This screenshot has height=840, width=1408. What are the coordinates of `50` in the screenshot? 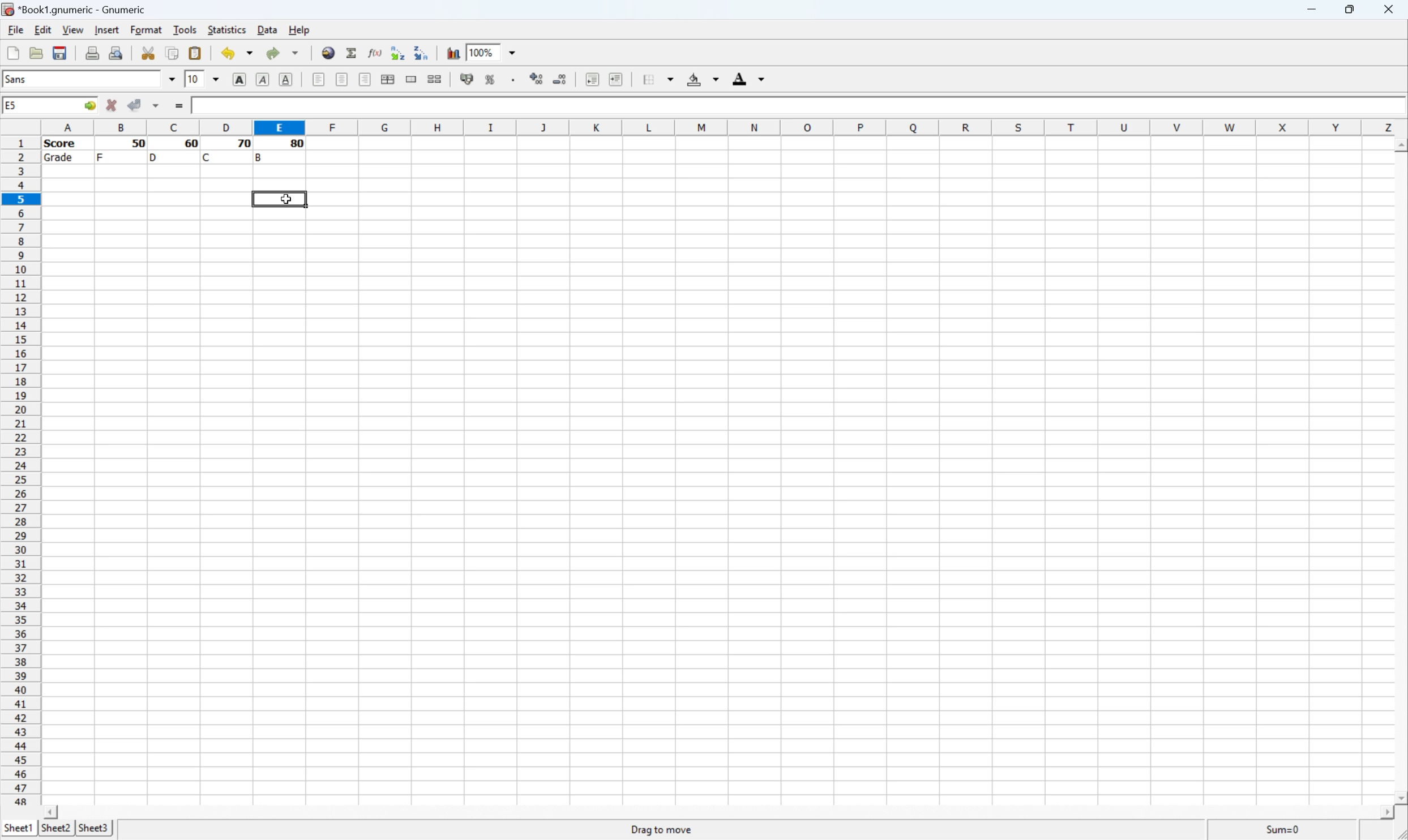 It's located at (139, 143).